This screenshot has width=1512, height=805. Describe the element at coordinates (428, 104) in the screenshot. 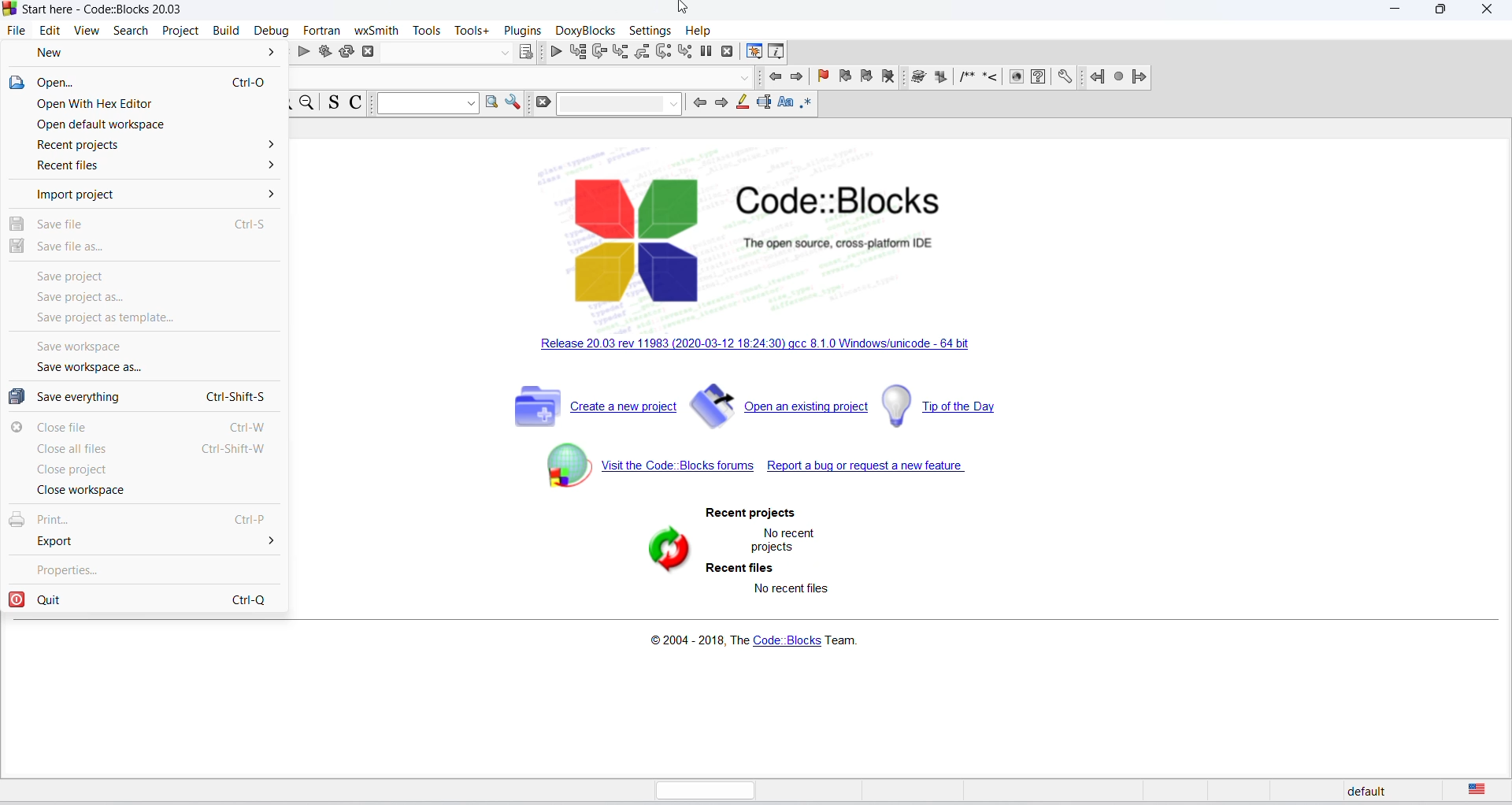

I see `dropdown` at that location.